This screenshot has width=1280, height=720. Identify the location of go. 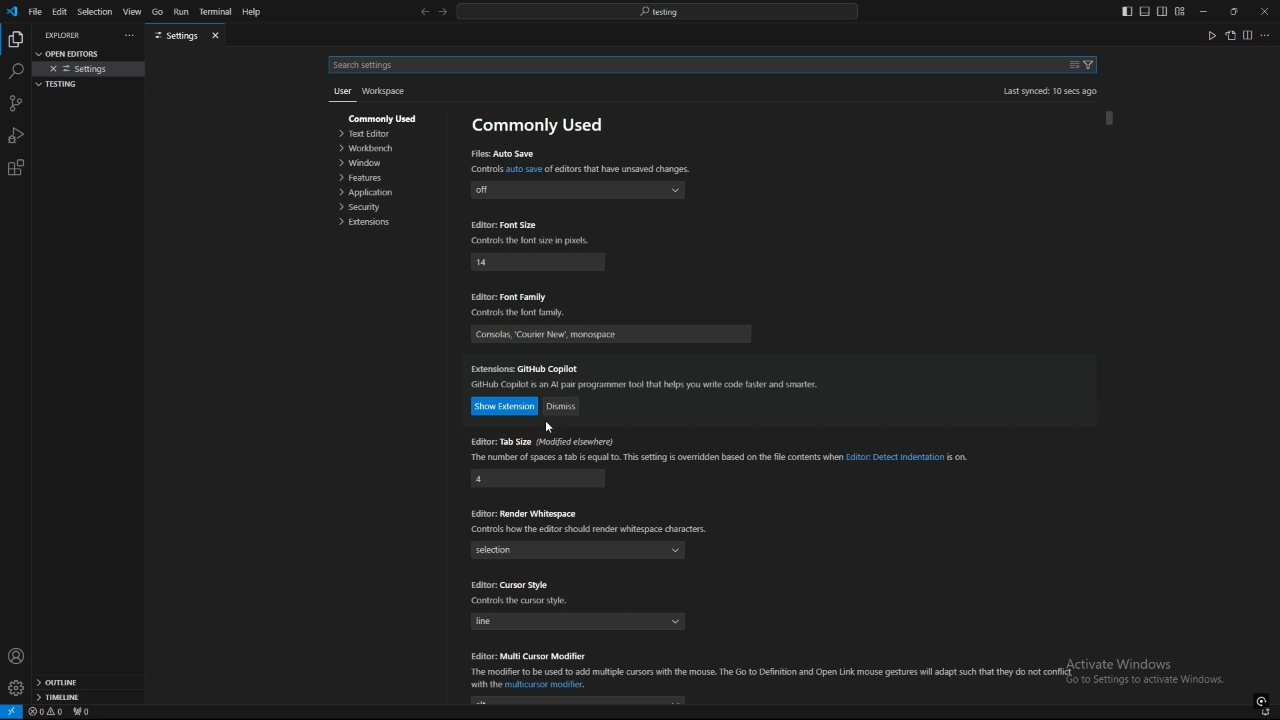
(157, 12).